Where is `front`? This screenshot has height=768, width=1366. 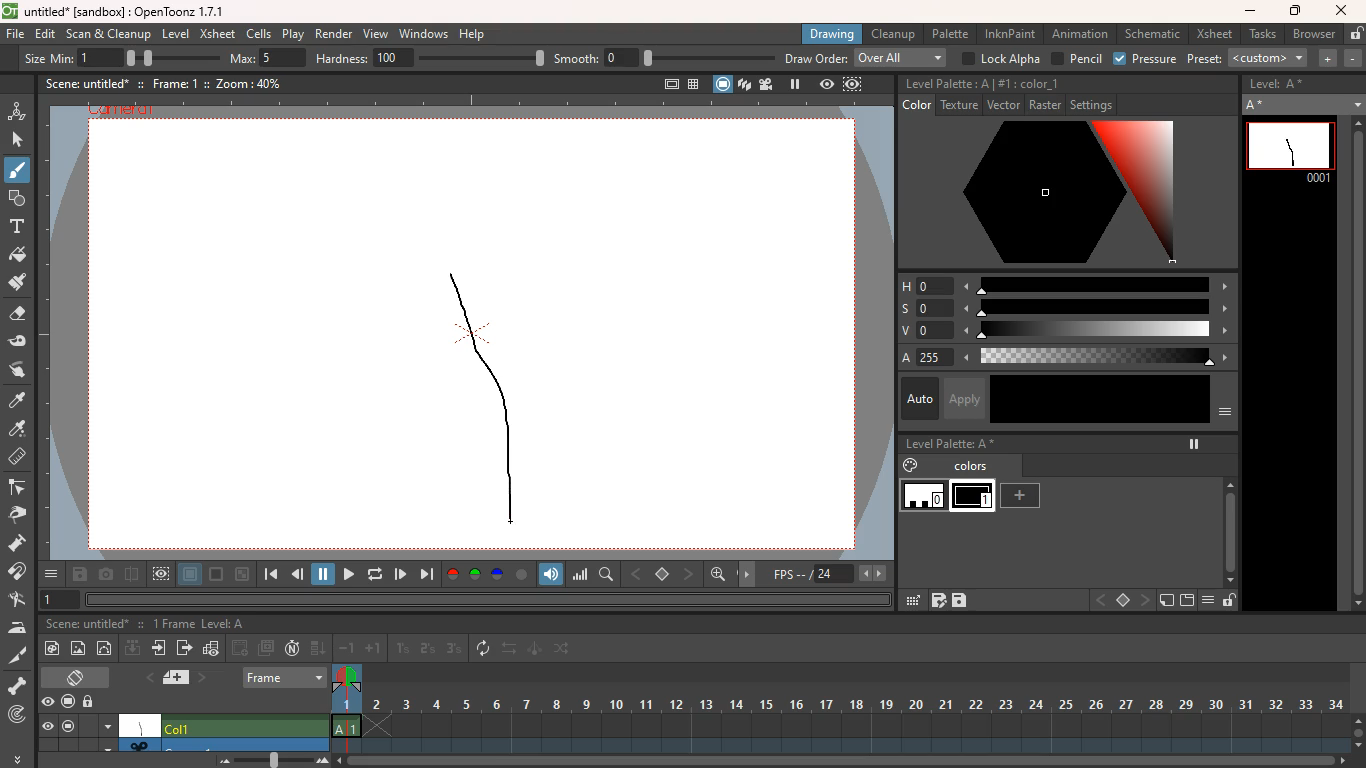 front is located at coordinates (690, 573).